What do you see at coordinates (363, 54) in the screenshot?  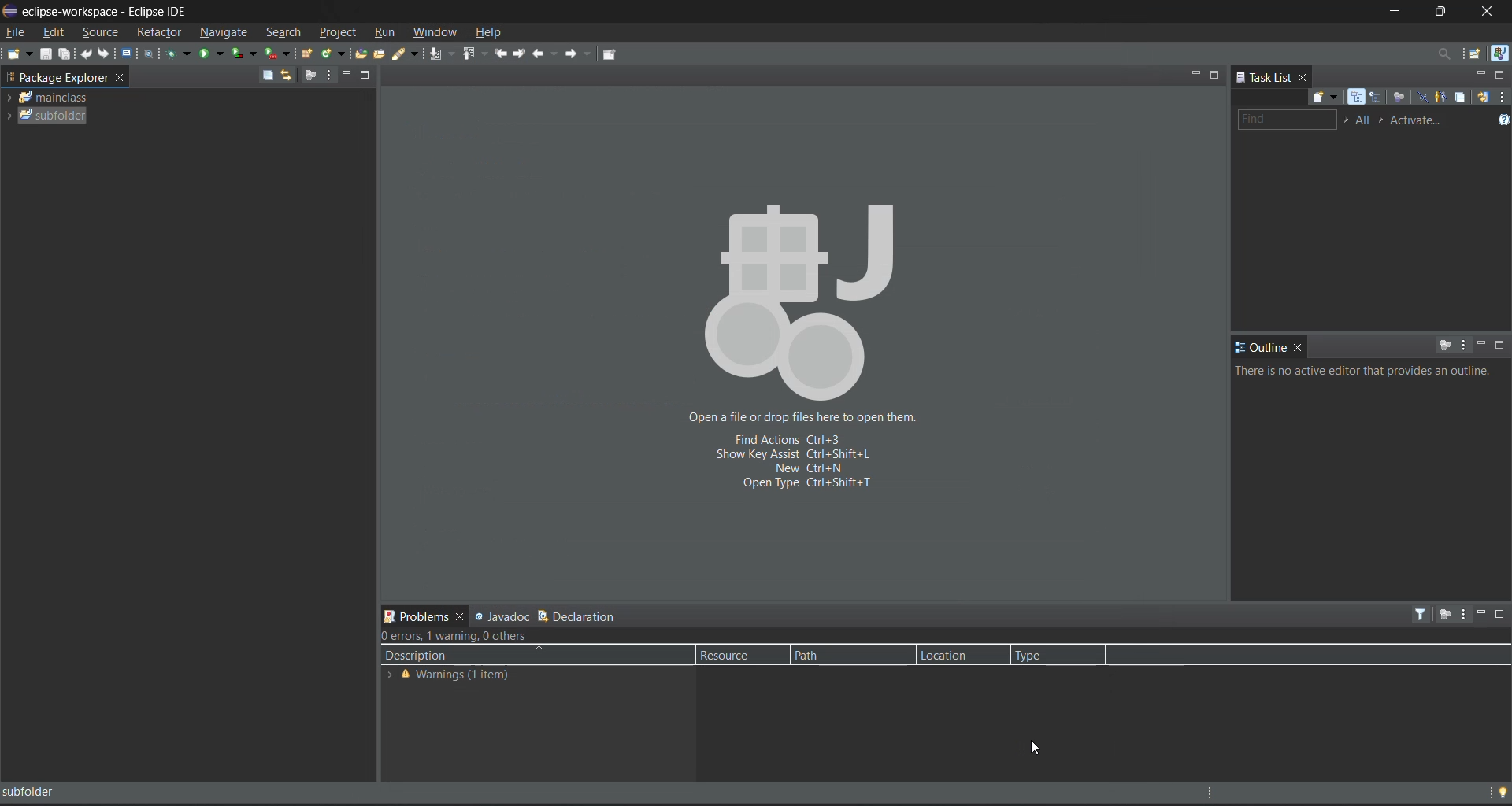 I see `open type` at bounding box center [363, 54].